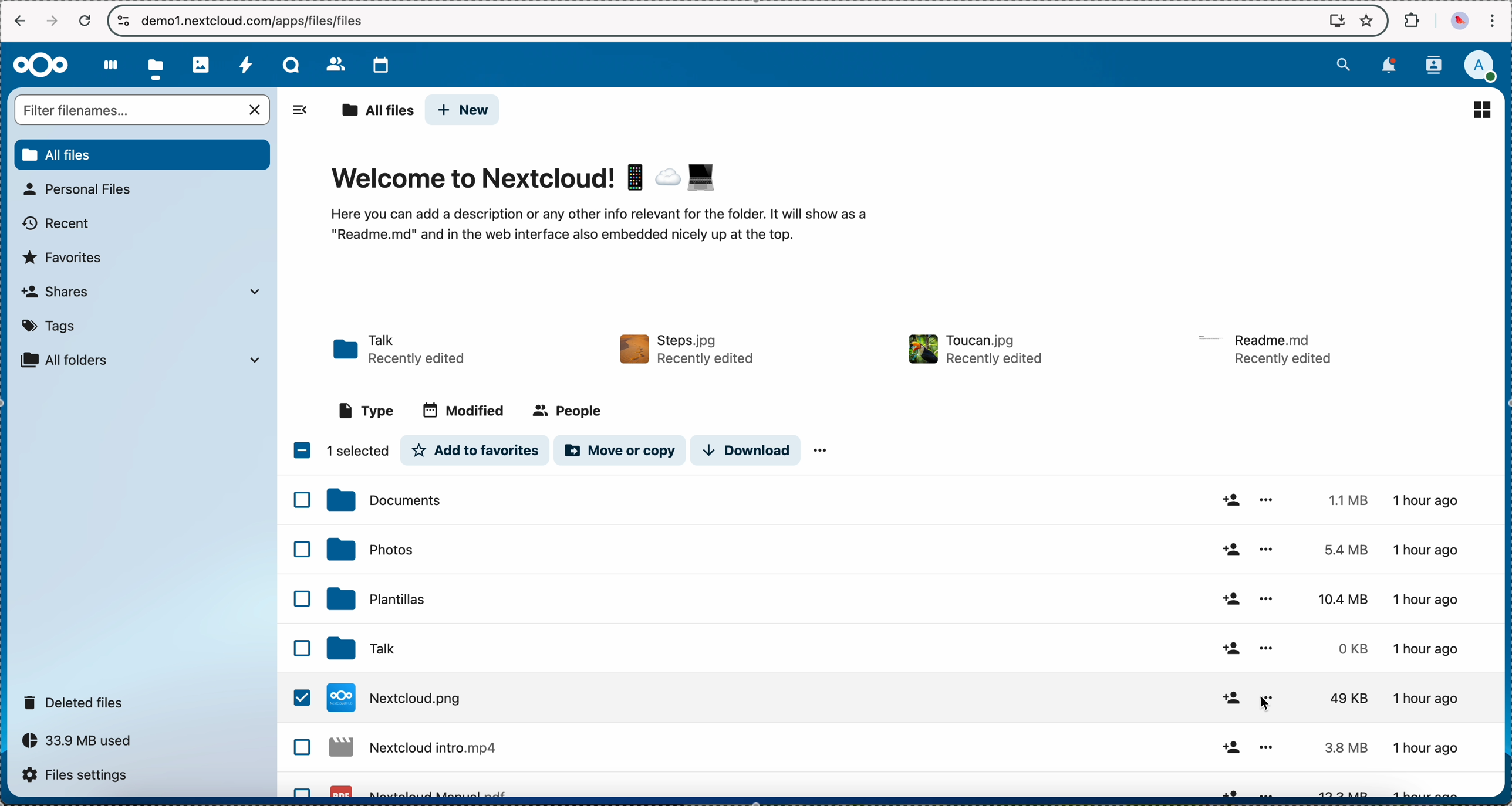  I want to click on shares, so click(141, 292).